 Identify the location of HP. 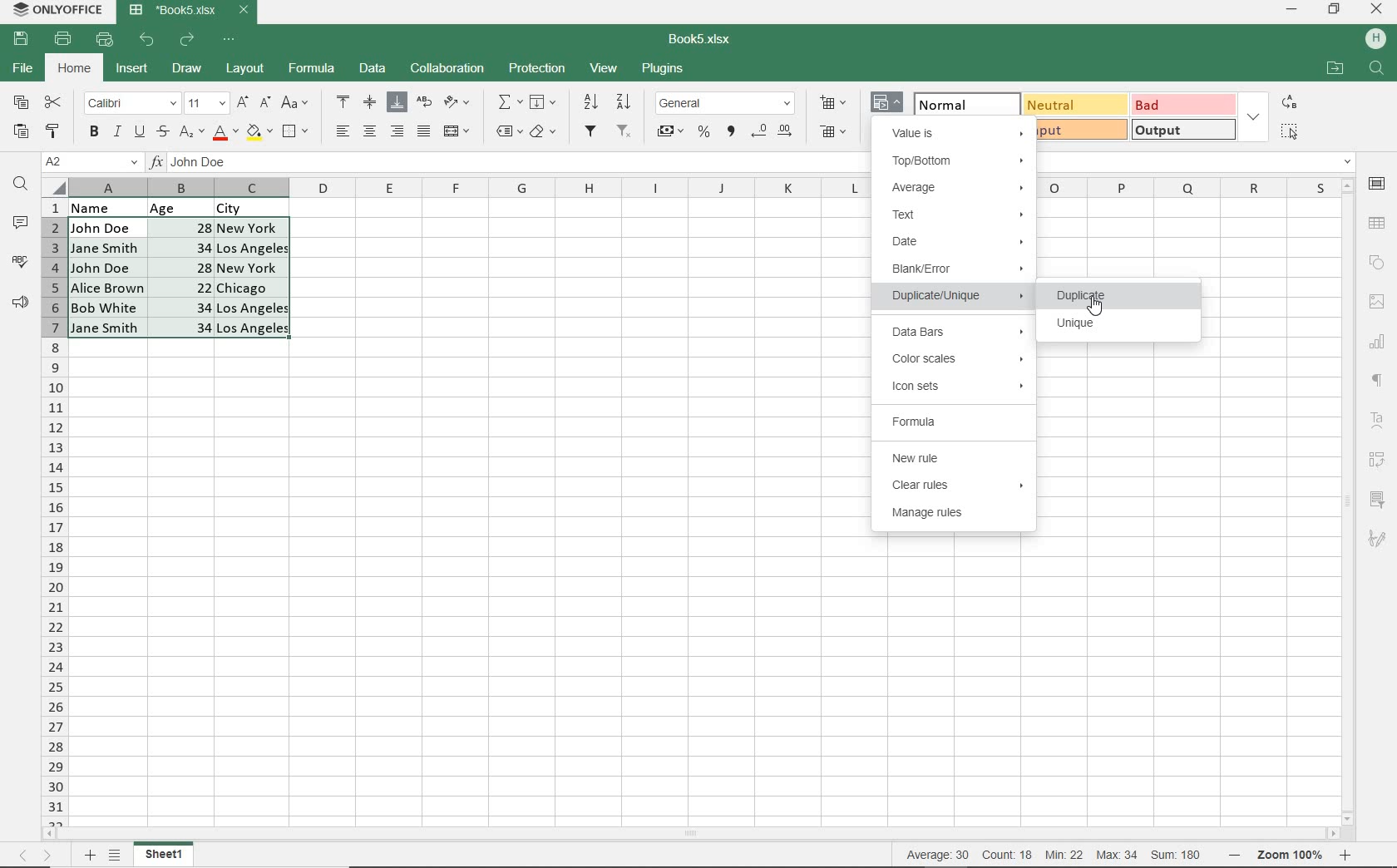
(1375, 40).